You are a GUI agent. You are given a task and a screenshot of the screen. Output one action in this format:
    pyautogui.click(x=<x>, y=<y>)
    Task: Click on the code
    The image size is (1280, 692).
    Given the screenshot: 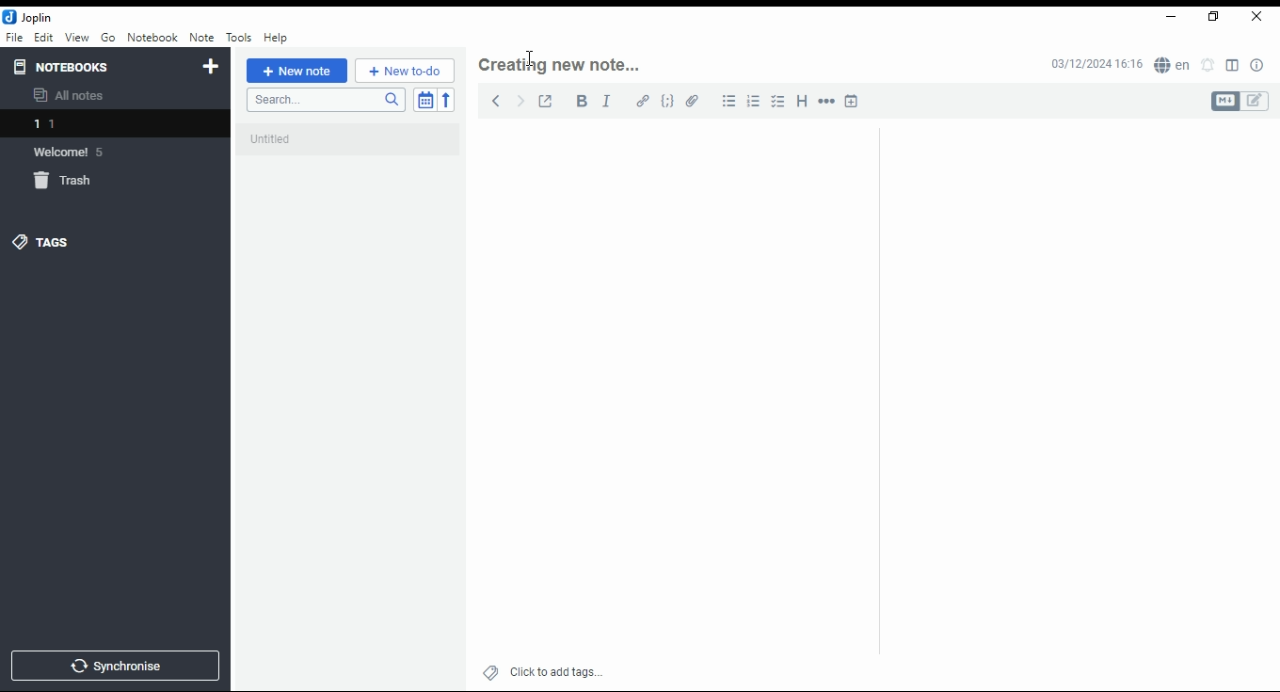 What is the action you would take?
    pyautogui.click(x=667, y=101)
    